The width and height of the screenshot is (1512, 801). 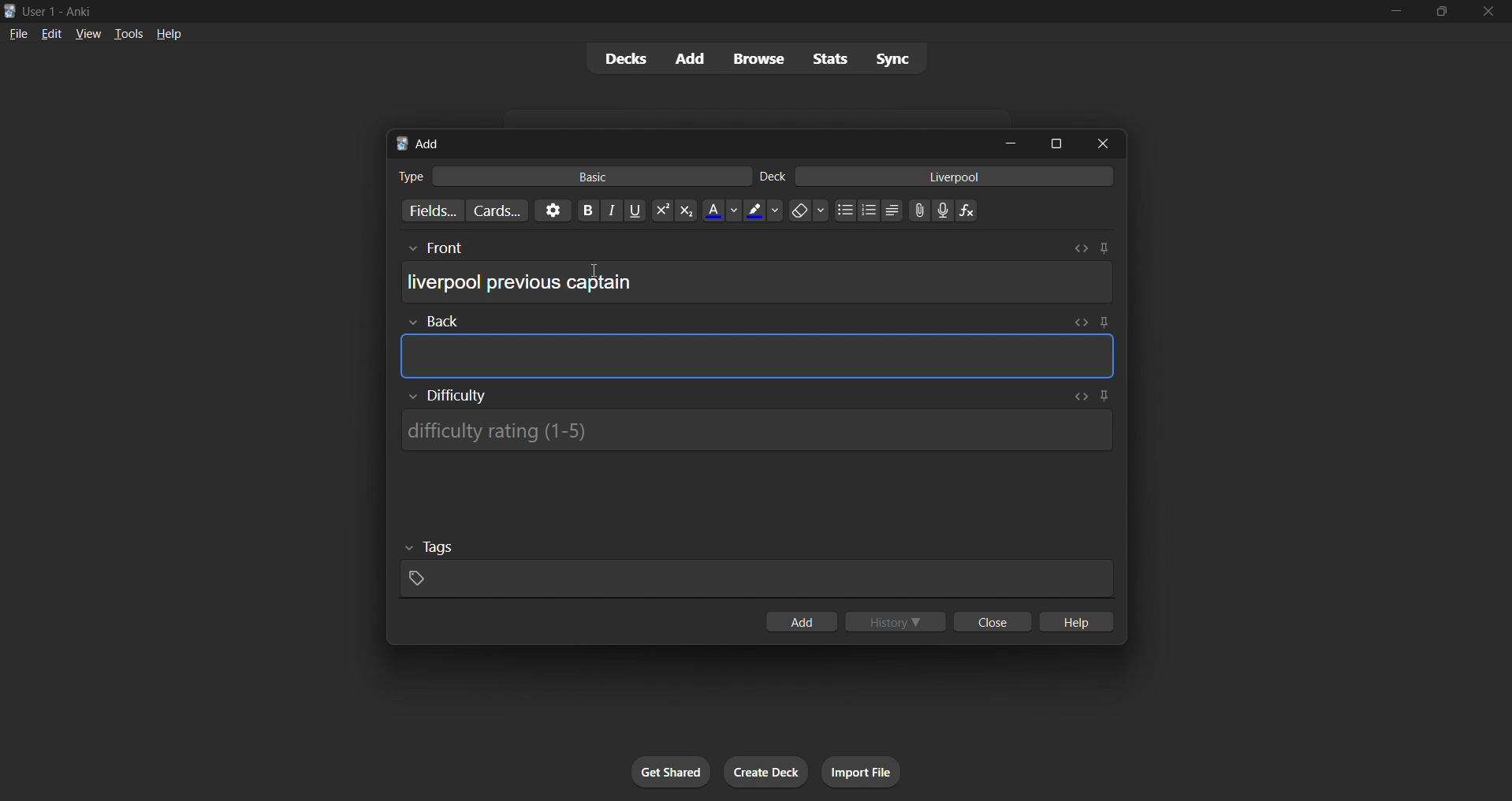 What do you see at coordinates (918, 212) in the screenshot?
I see `link` at bounding box center [918, 212].